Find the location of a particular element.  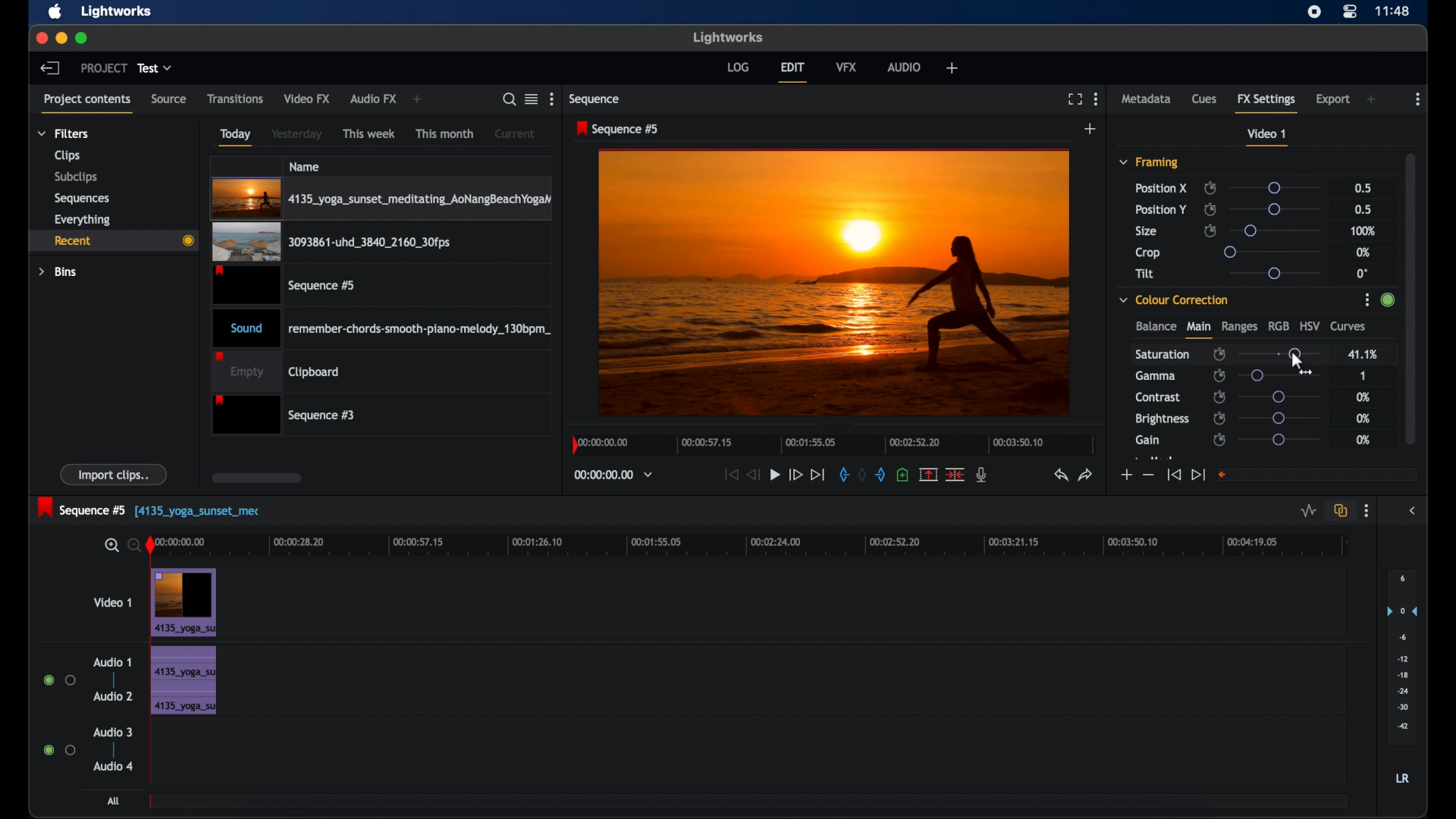

sequence is located at coordinates (596, 99).